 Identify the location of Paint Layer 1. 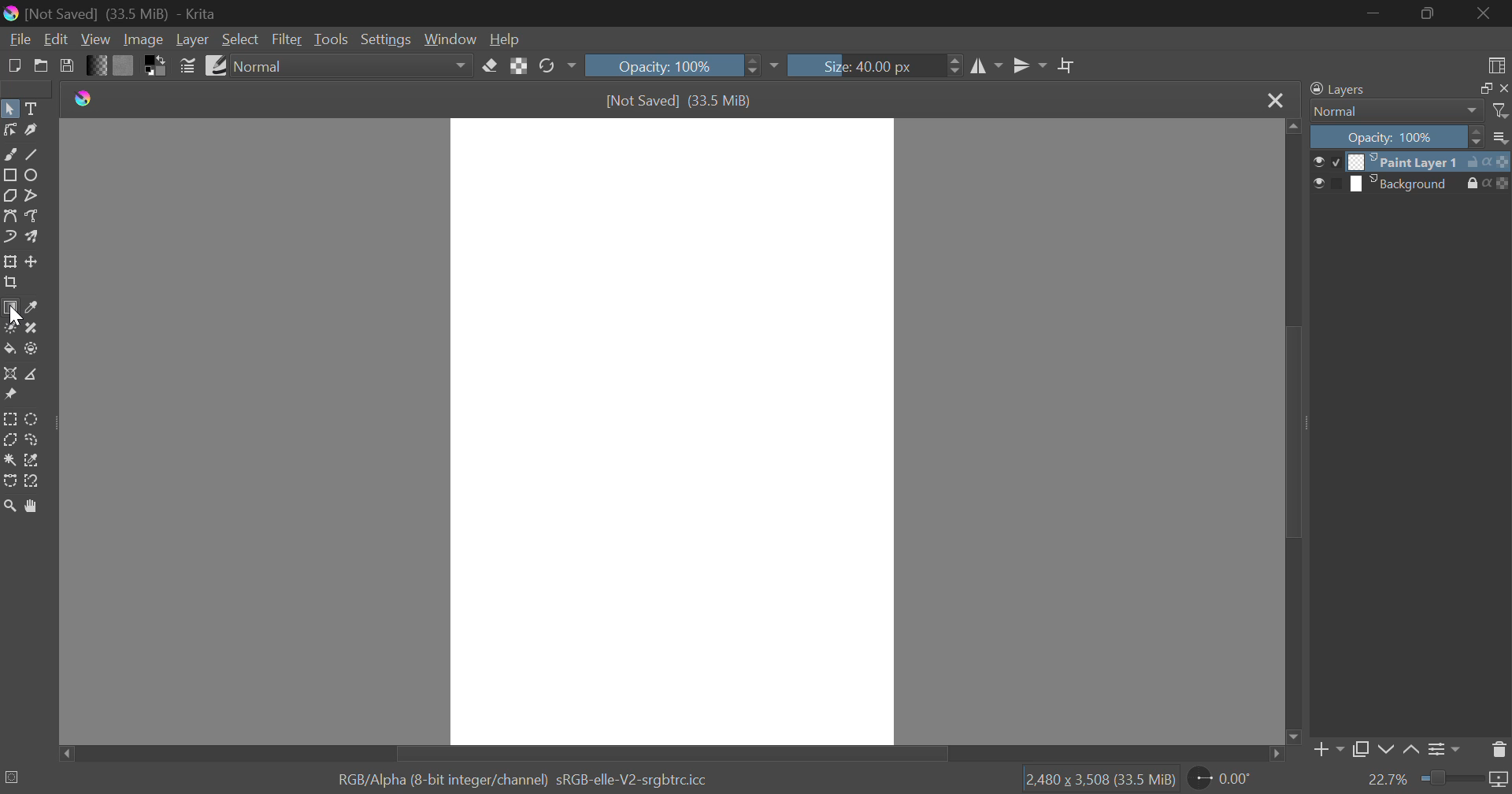
(1406, 161).